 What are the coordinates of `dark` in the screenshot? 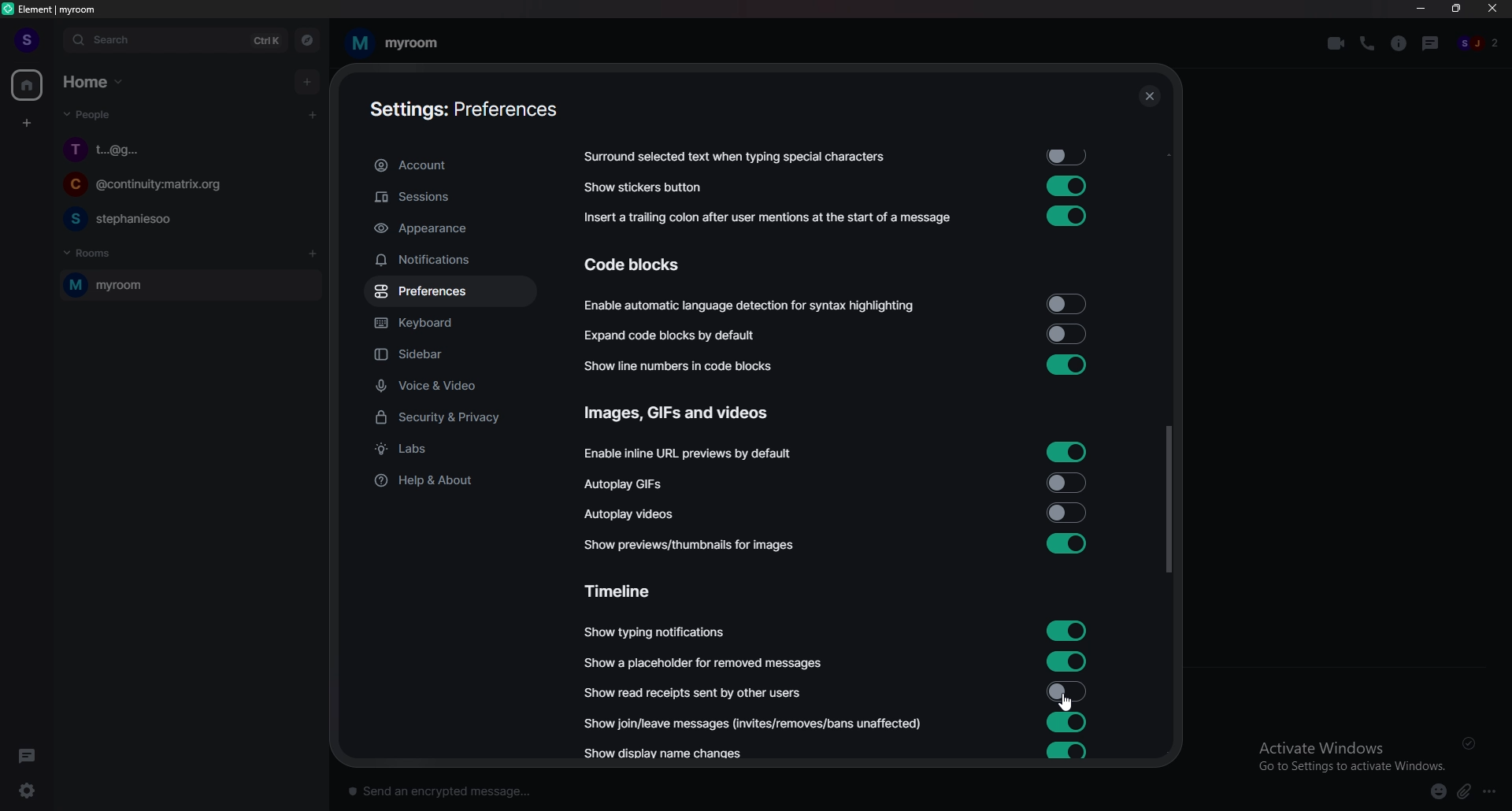 It's located at (31, 755).